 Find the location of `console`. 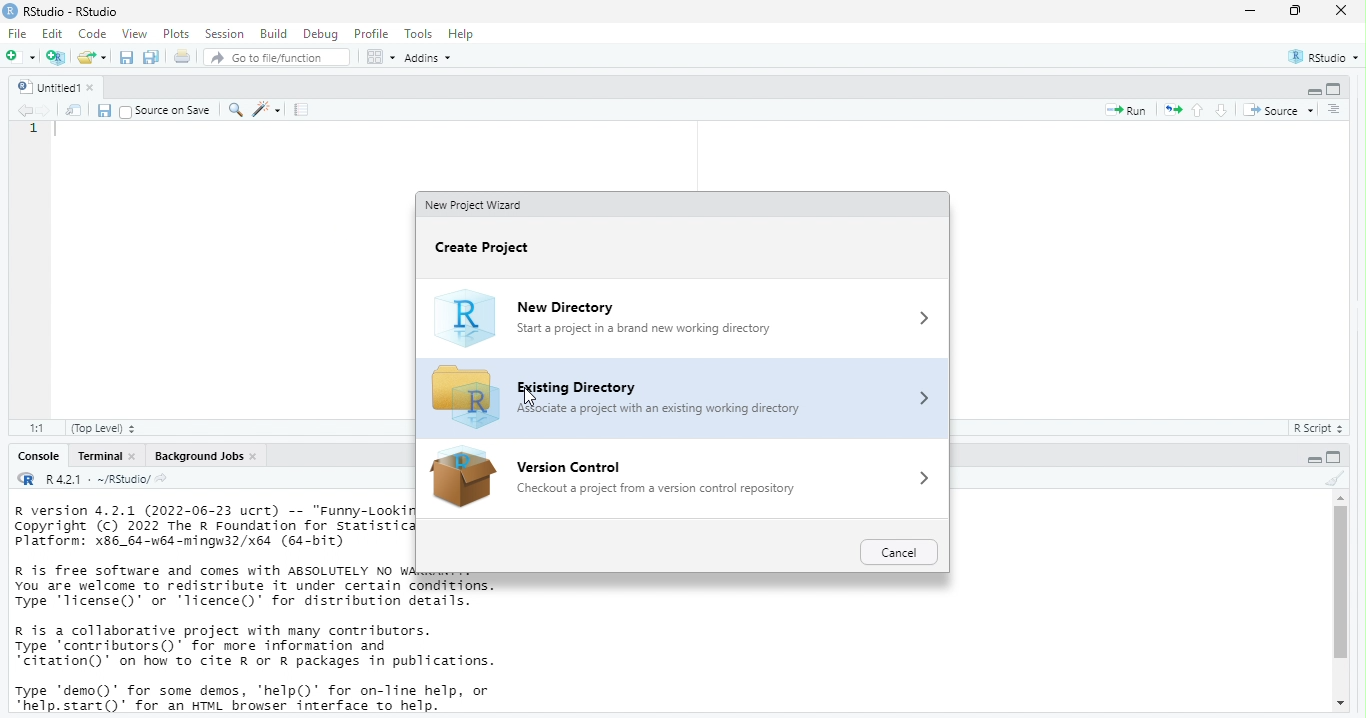

console is located at coordinates (32, 456).